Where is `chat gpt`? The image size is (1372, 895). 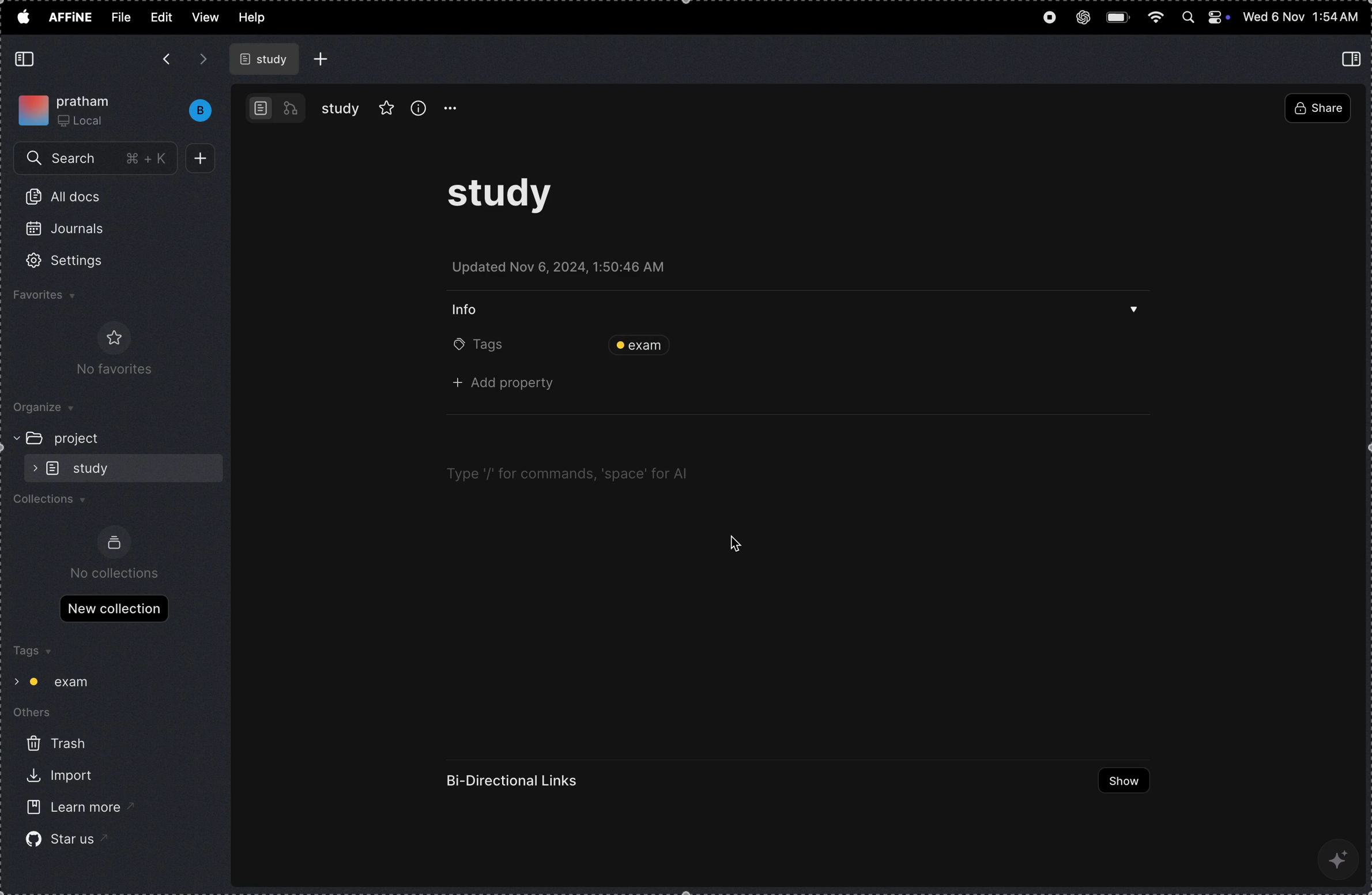 chat gpt is located at coordinates (1083, 14).